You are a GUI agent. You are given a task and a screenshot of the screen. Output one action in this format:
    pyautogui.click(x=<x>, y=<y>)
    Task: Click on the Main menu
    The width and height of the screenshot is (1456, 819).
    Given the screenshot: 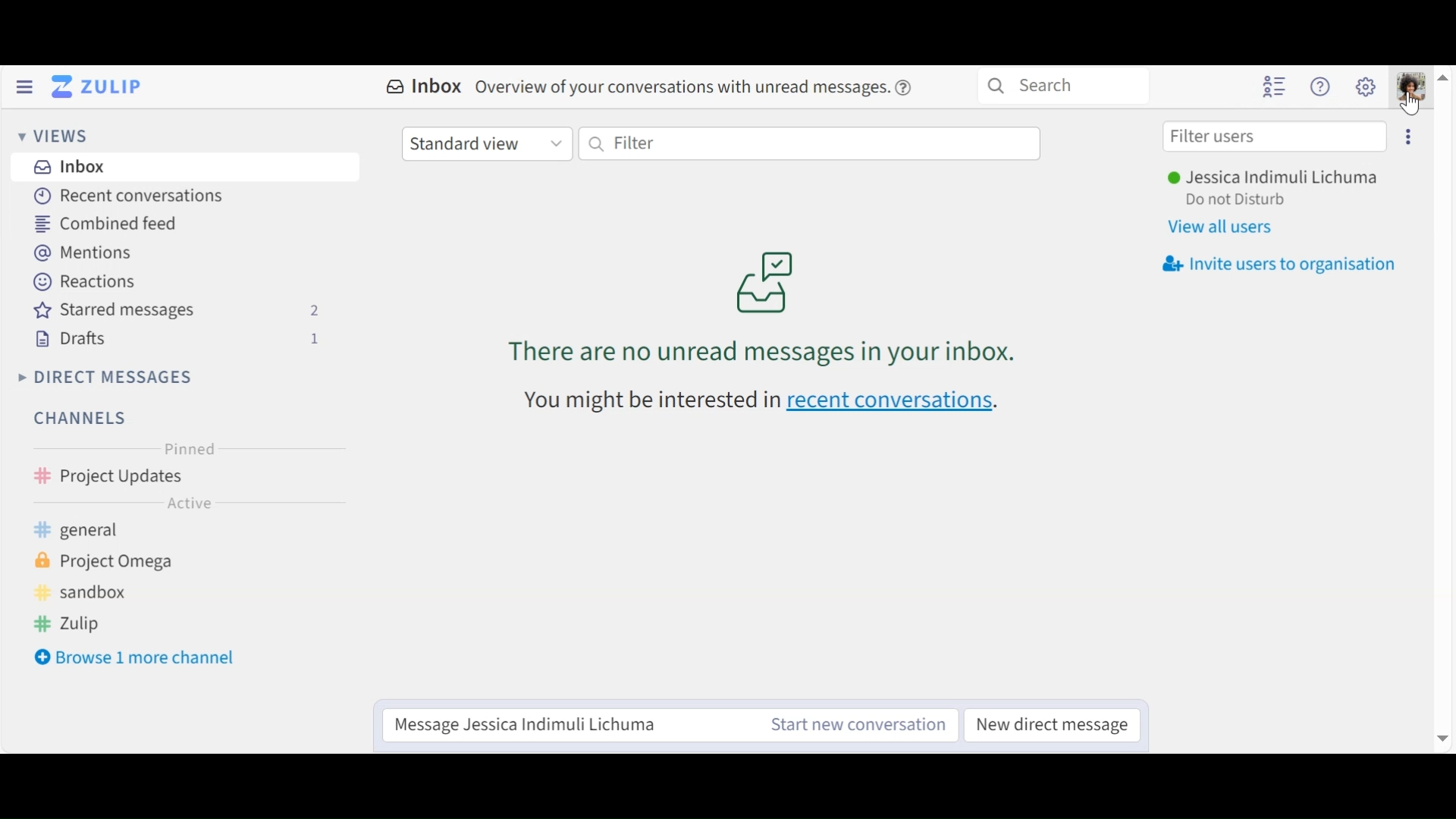 What is the action you would take?
    pyautogui.click(x=1367, y=86)
    